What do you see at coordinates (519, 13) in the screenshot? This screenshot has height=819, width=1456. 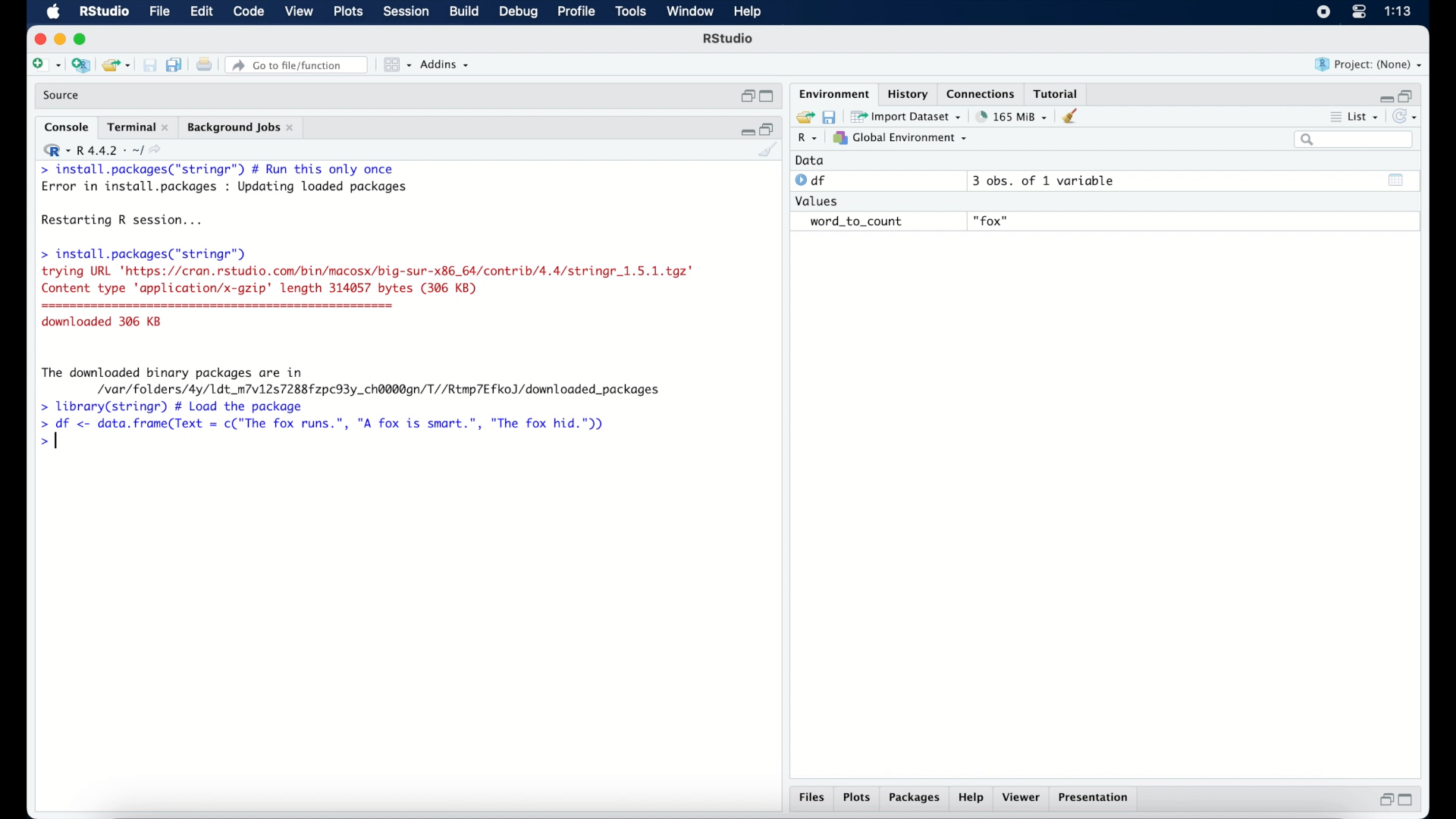 I see `debug` at bounding box center [519, 13].